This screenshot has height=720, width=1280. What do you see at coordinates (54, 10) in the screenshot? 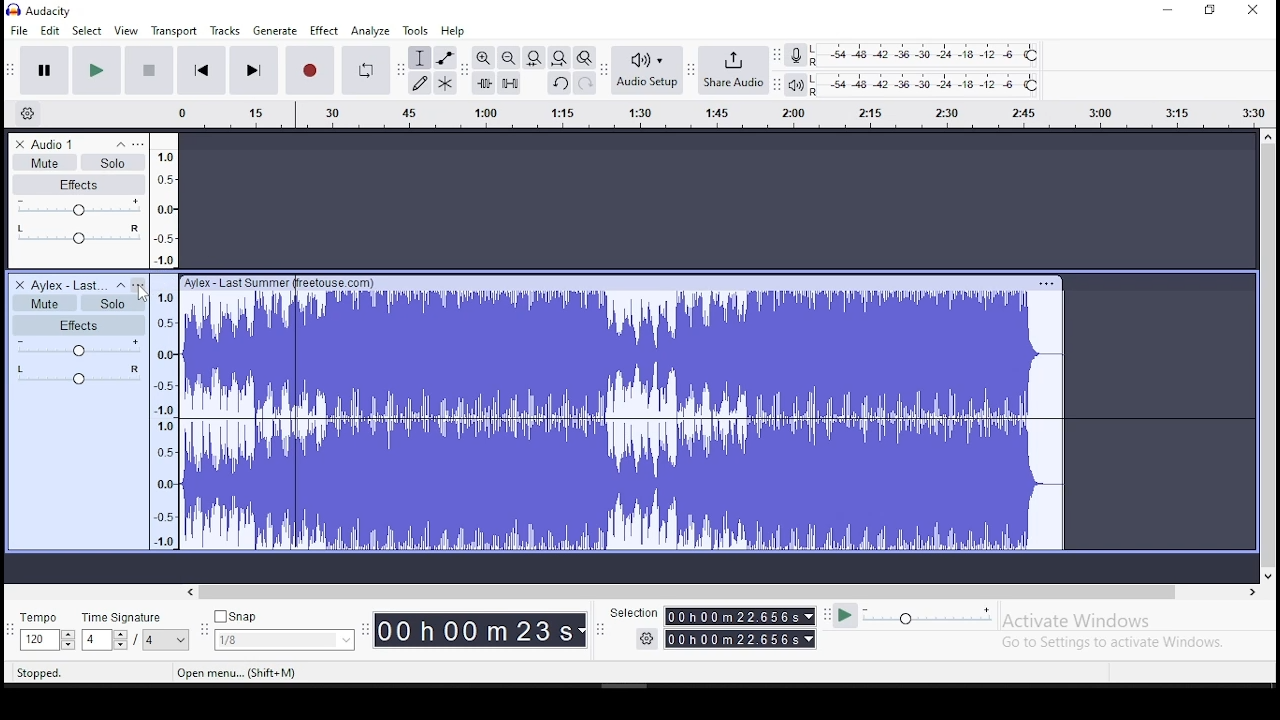
I see `icon` at bounding box center [54, 10].